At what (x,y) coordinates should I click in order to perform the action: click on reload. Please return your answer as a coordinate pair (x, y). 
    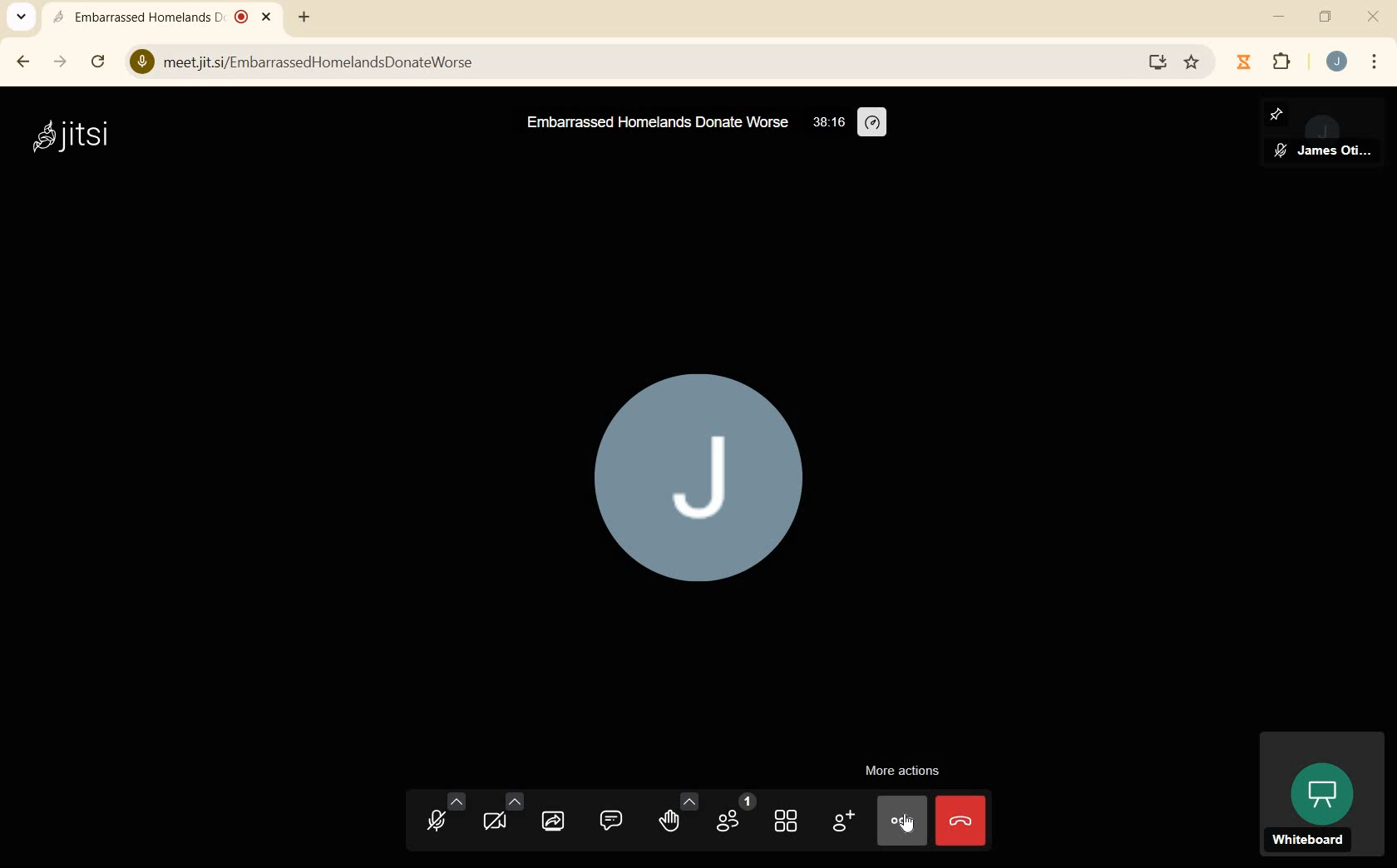
    Looking at the image, I should click on (99, 62).